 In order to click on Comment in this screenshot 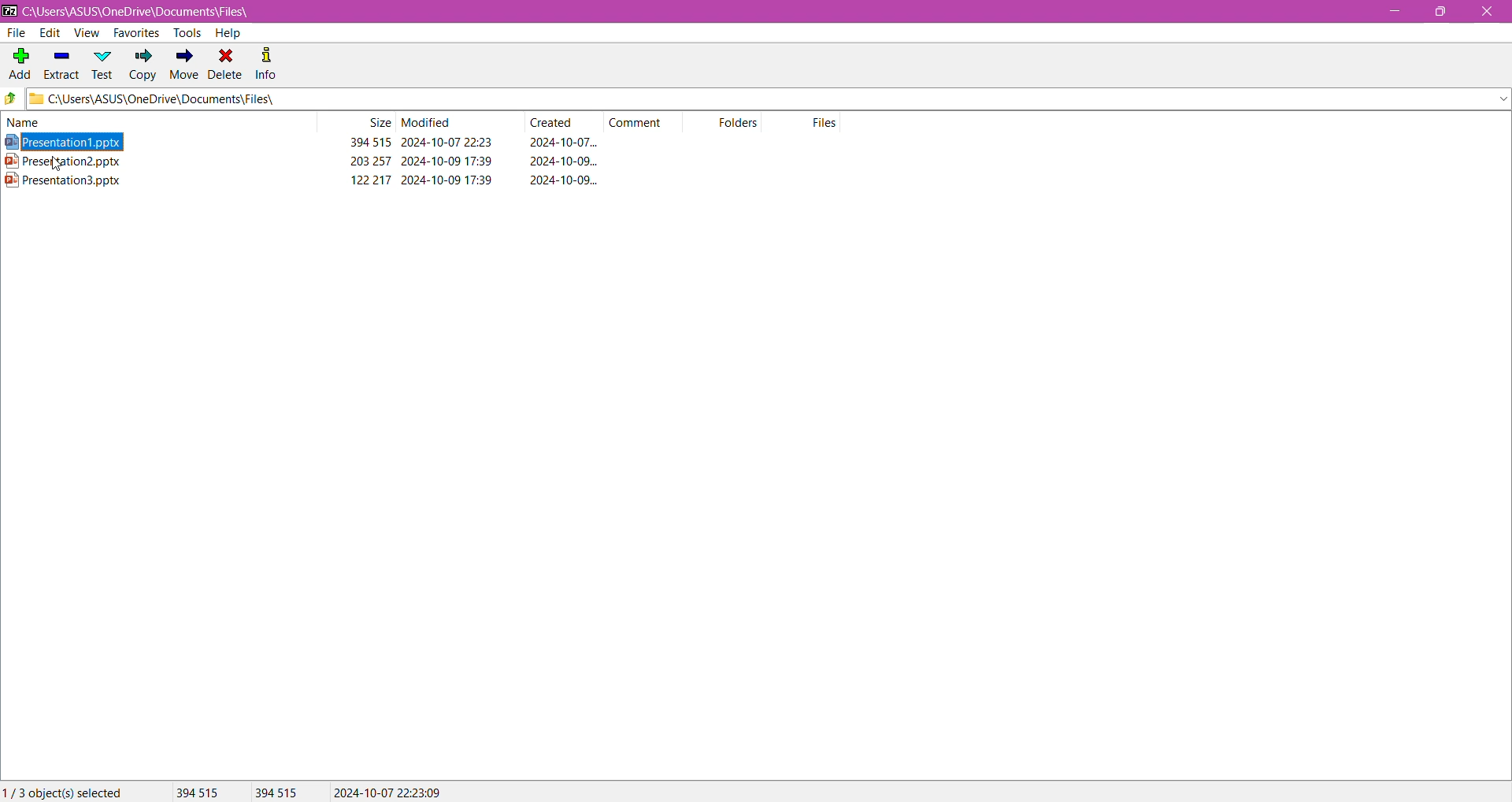, I will do `click(641, 121)`.